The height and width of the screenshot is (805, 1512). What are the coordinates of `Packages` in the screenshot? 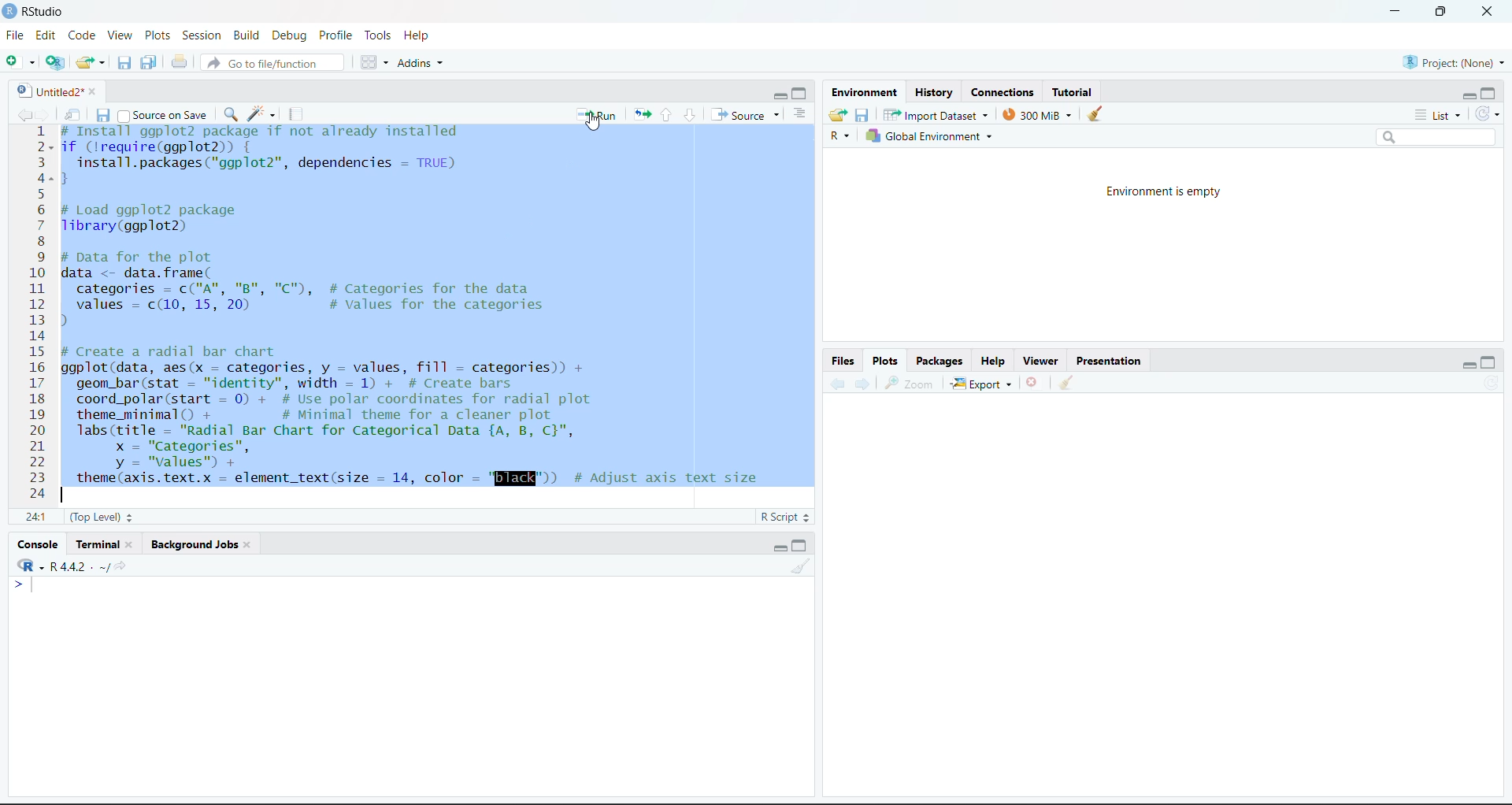 It's located at (939, 361).